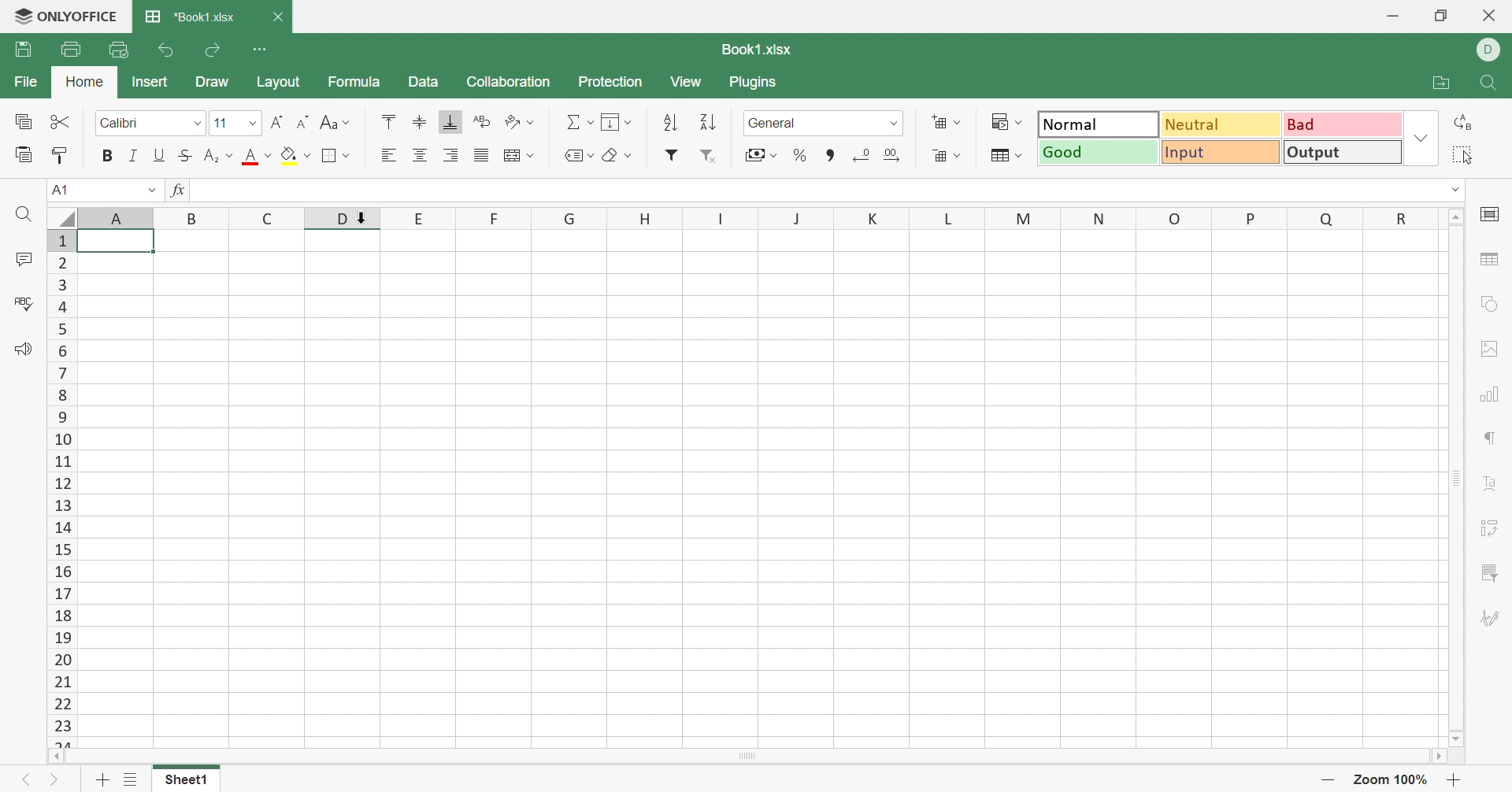 The image size is (1512, 792). Describe the element at coordinates (230, 154) in the screenshot. I see `Drop Down` at that location.